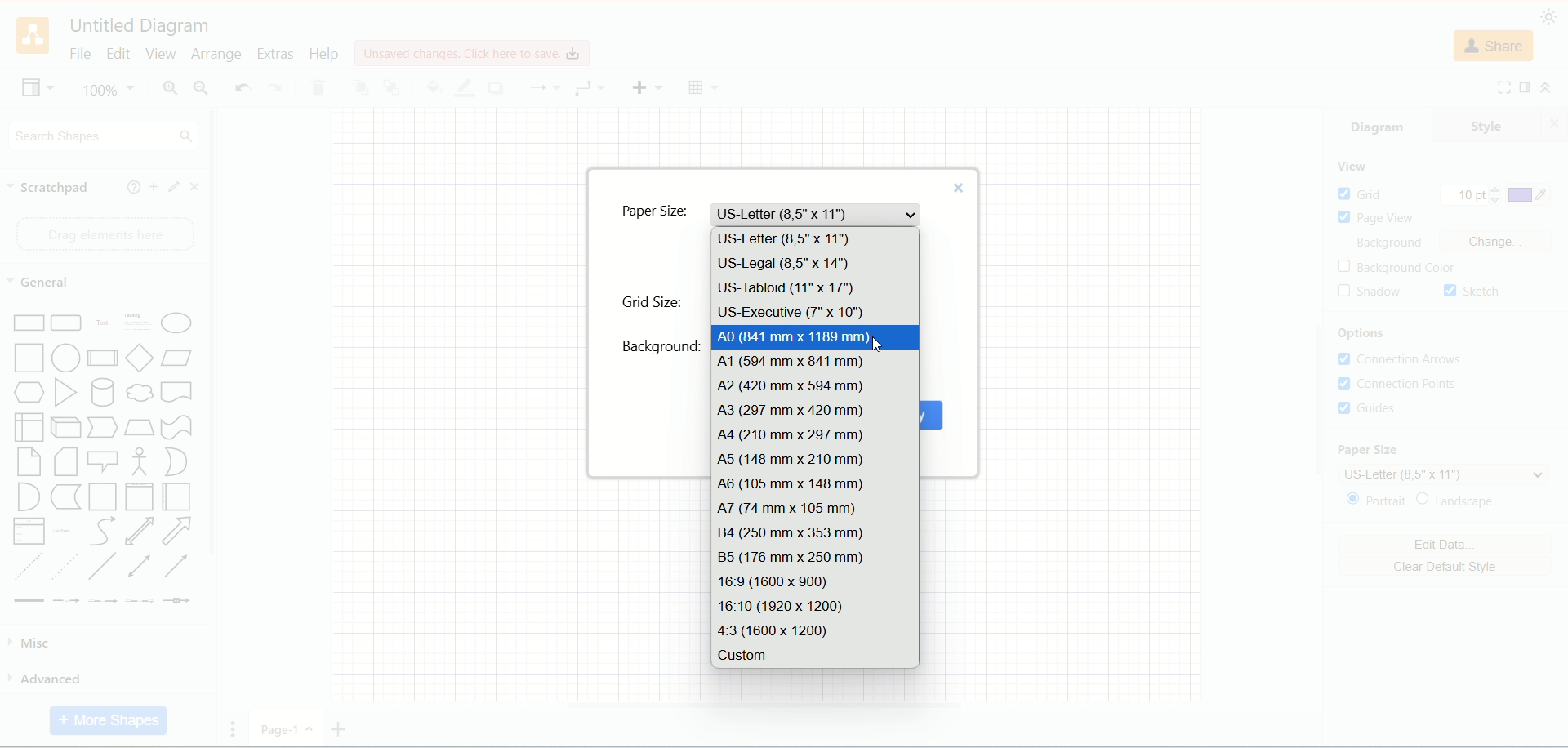  I want to click on to back, so click(392, 86).